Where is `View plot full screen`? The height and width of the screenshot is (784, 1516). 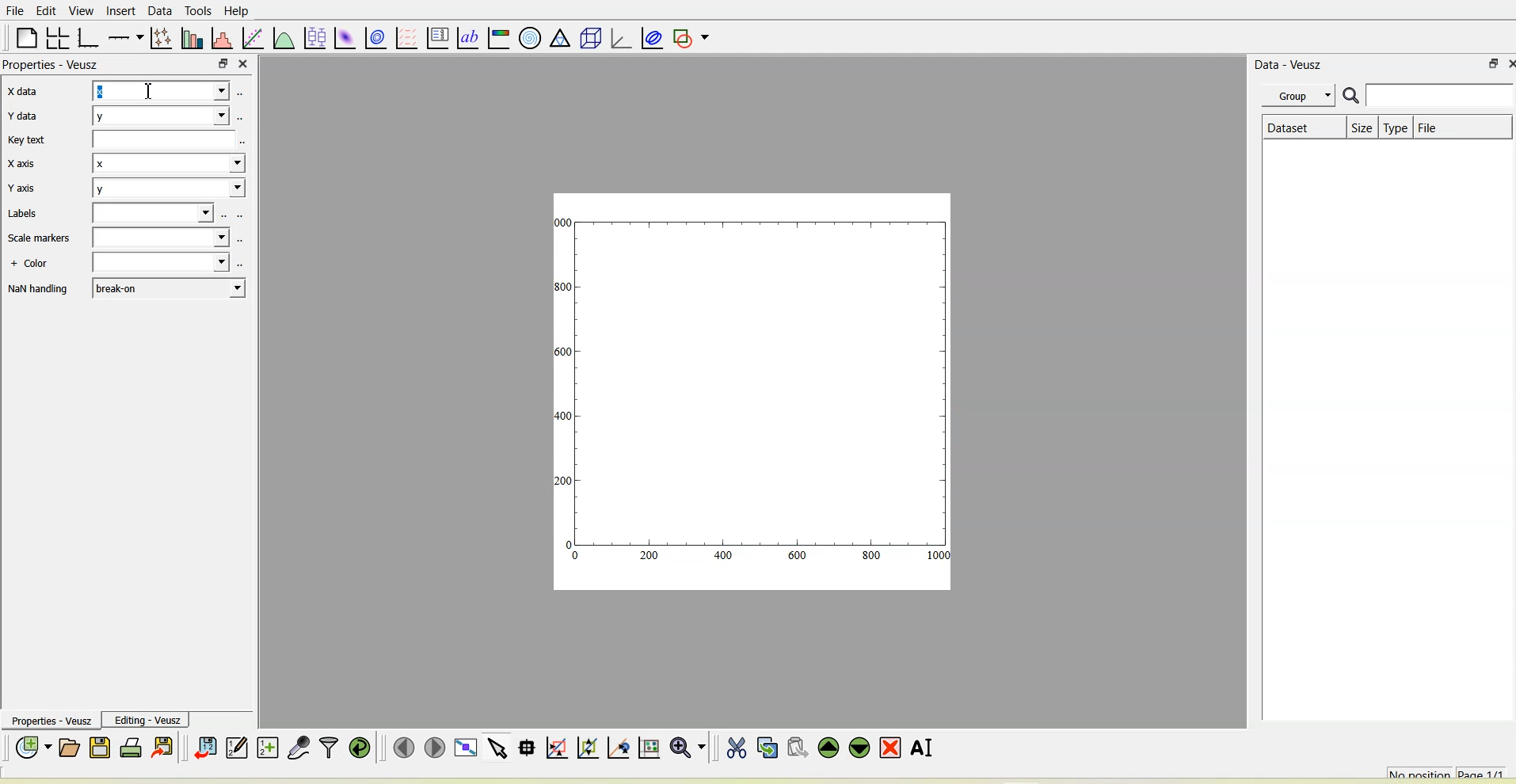 View plot full screen is located at coordinates (466, 748).